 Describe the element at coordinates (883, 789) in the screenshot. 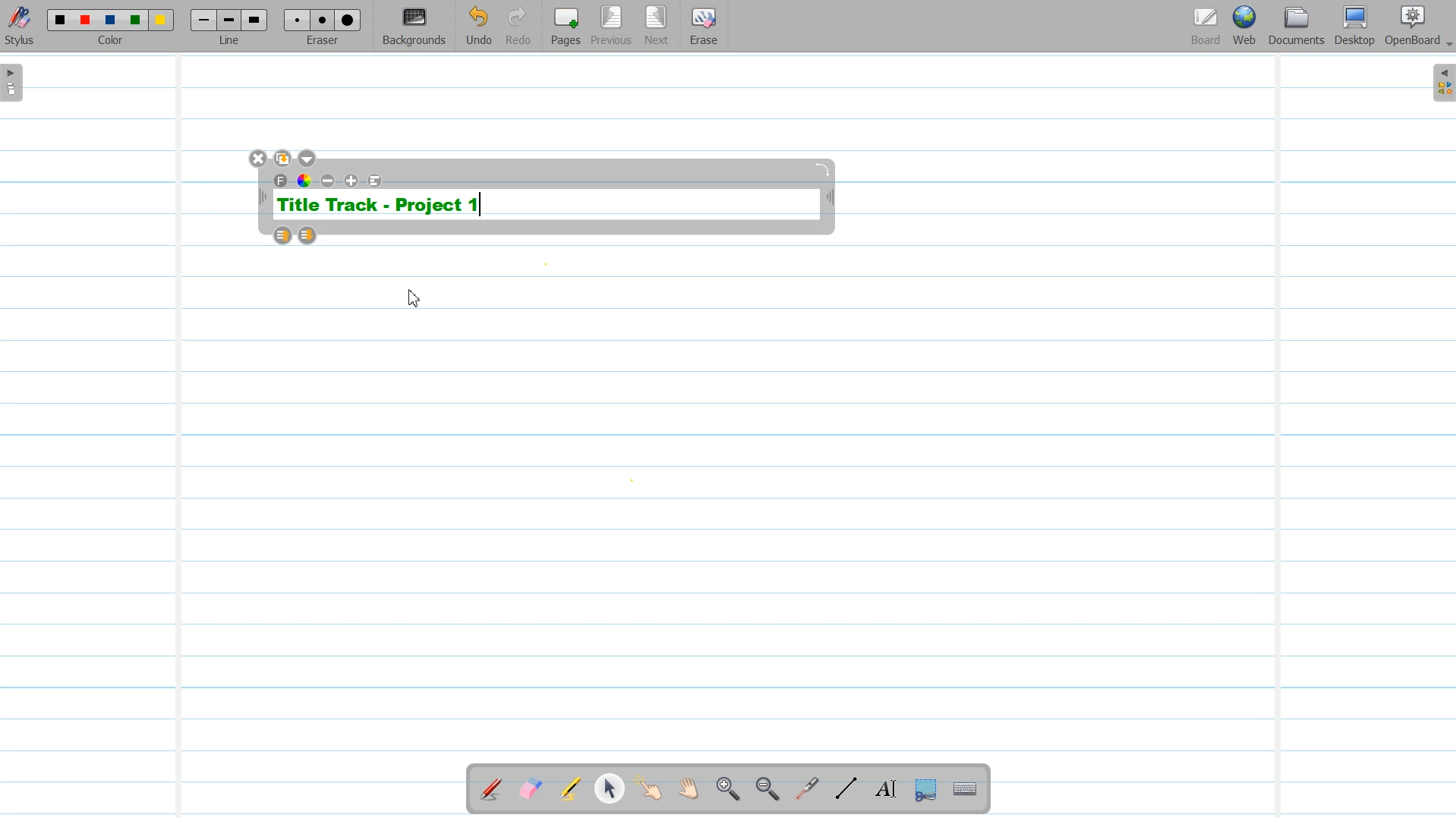

I see `Text Tool` at that location.